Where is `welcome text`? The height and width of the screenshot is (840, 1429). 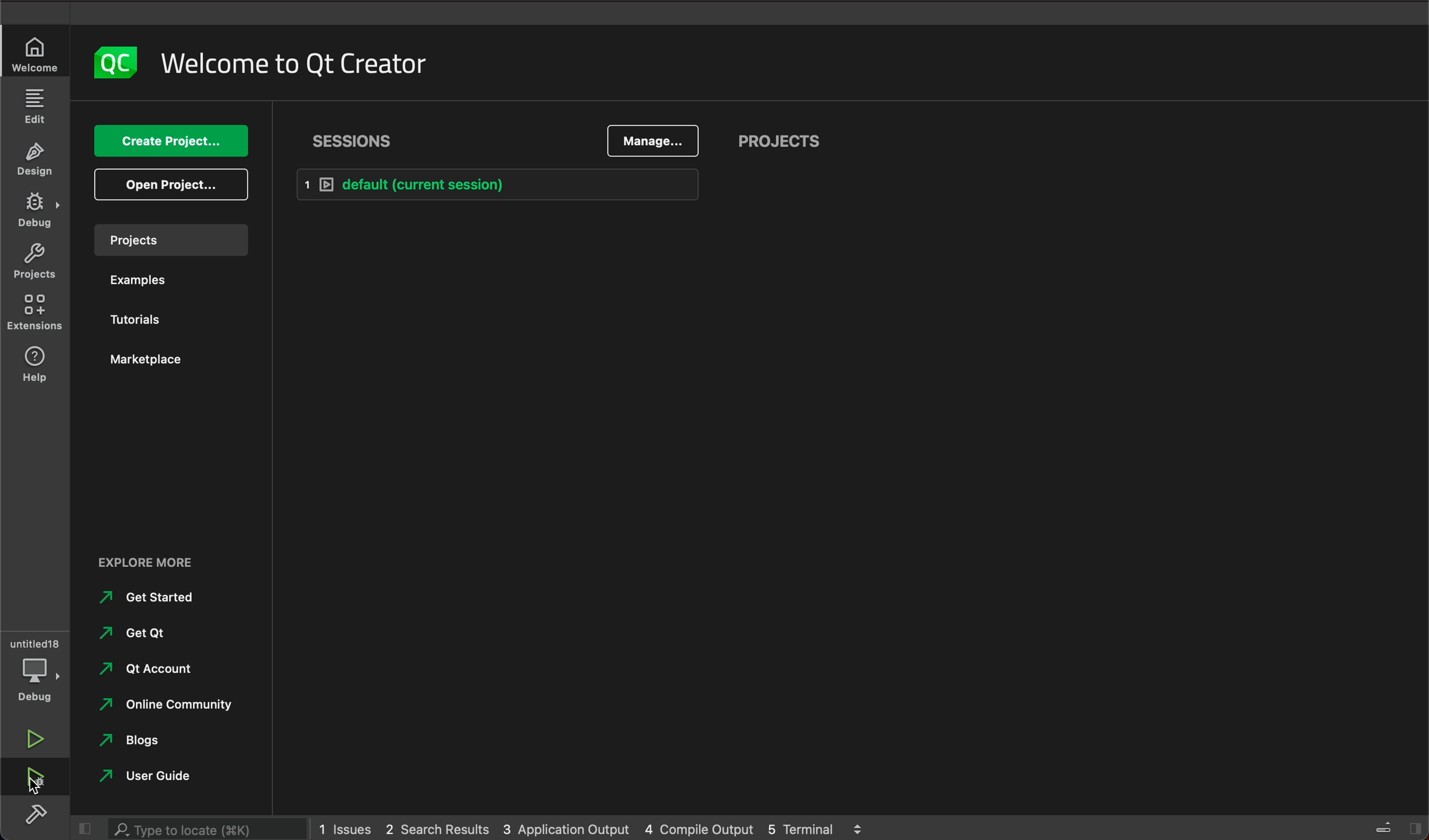
welcome text is located at coordinates (301, 65).